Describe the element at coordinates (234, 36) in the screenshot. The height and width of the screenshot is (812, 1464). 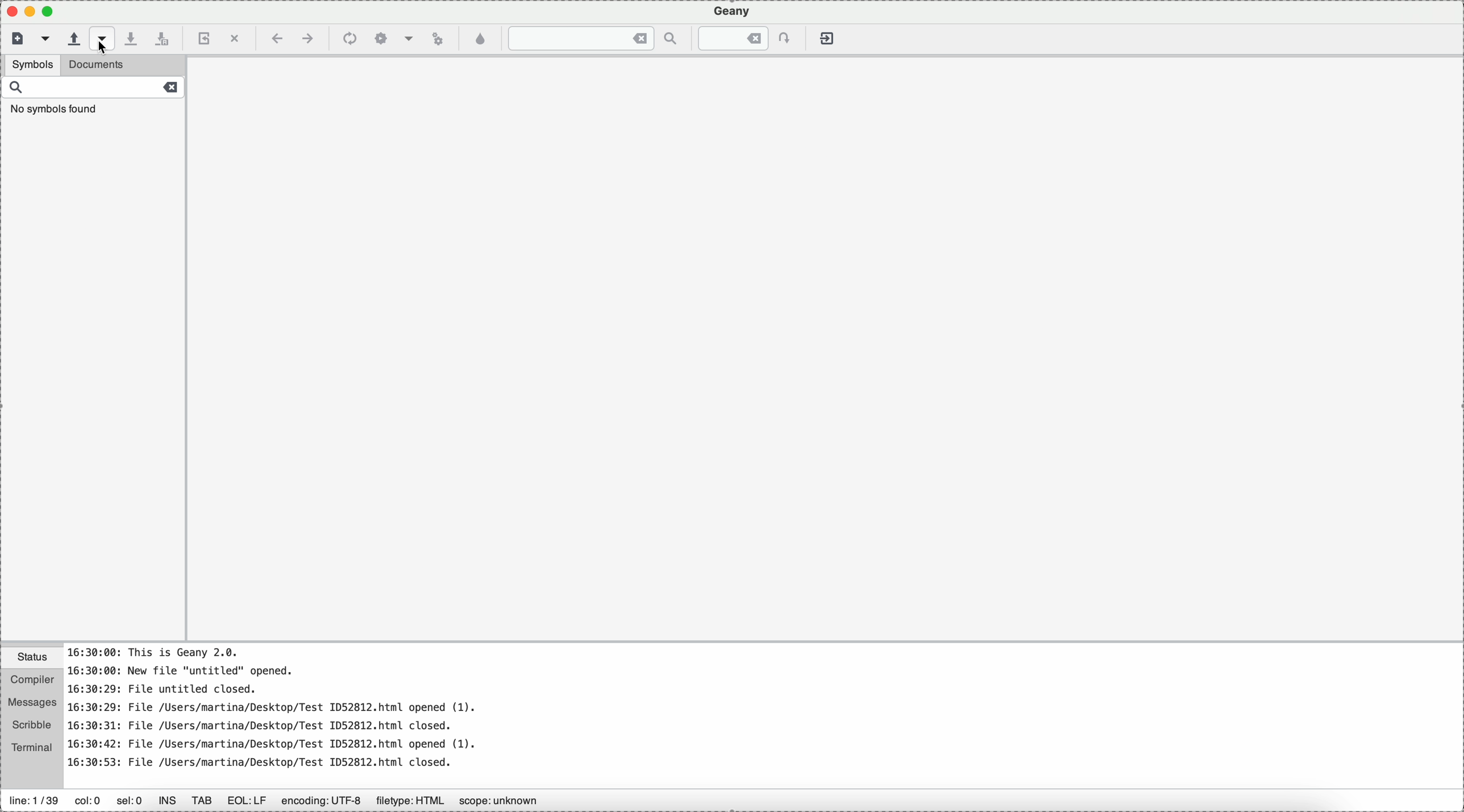
I see `close the current file` at that location.